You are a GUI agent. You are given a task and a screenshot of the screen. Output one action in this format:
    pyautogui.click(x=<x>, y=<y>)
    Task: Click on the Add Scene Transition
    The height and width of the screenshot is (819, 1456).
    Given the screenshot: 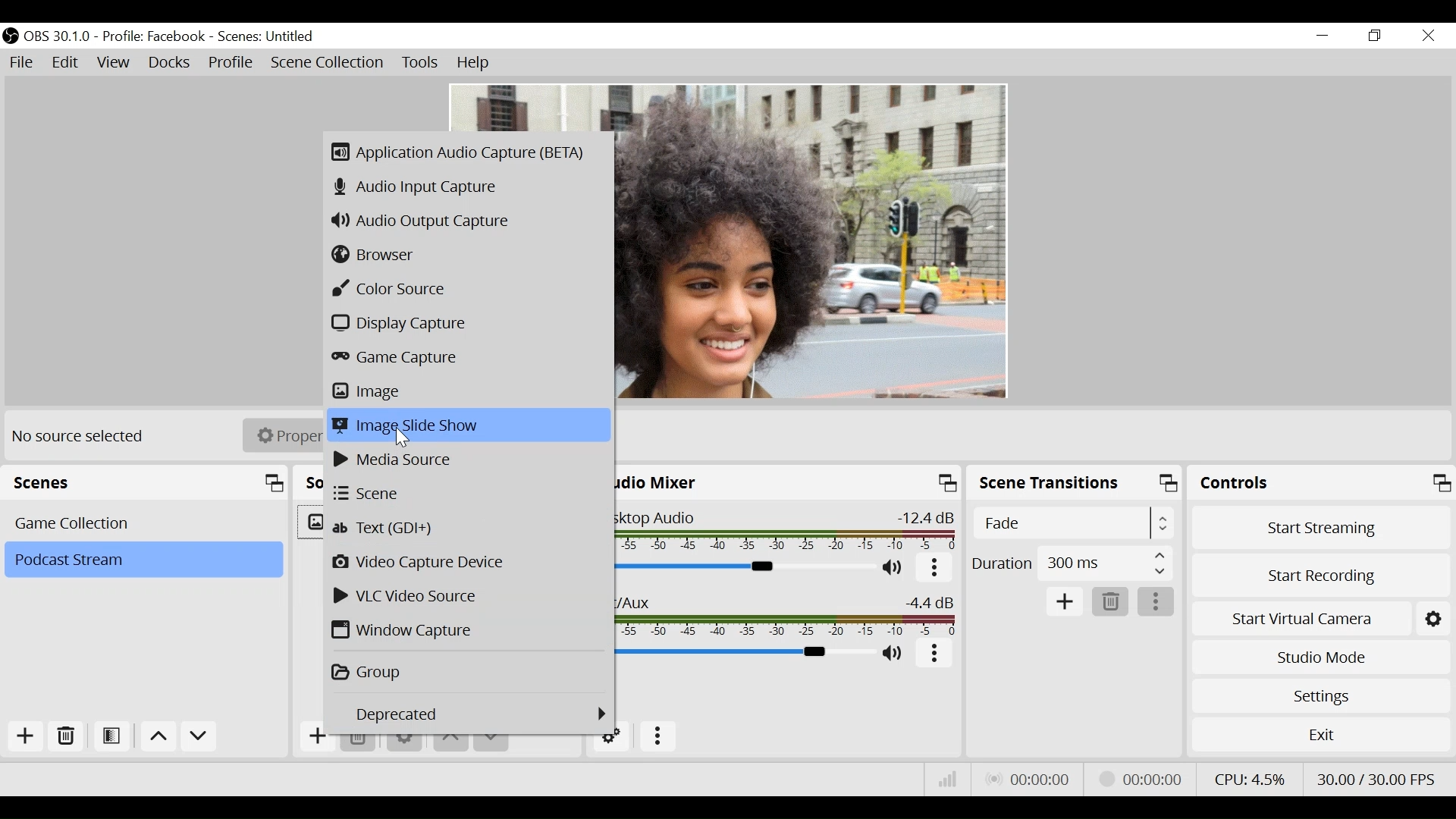 What is the action you would take?
    pyautogui.click(x=1064, y=602)
    